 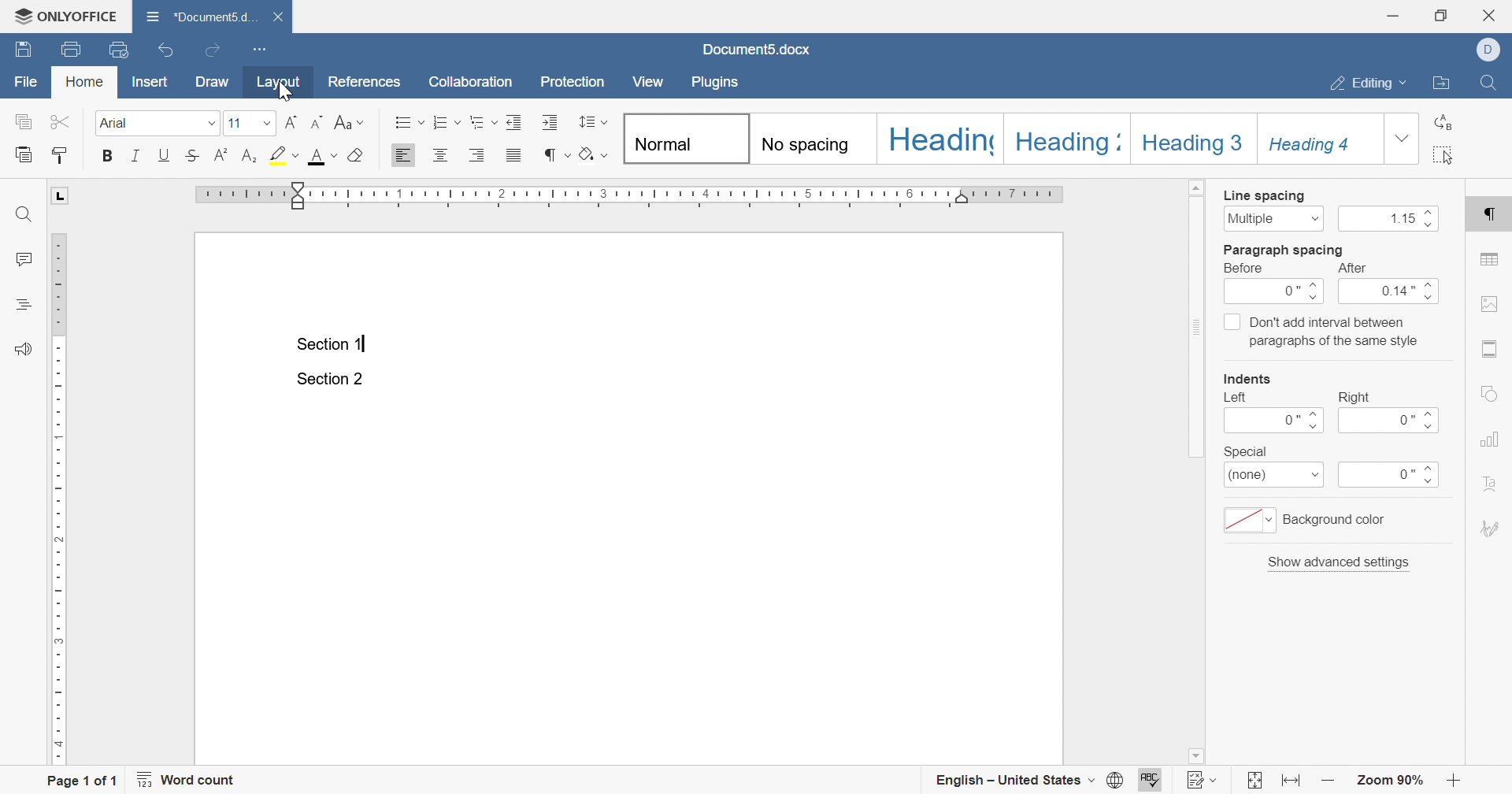 I want to click on comments, so click(x=24, y=260).